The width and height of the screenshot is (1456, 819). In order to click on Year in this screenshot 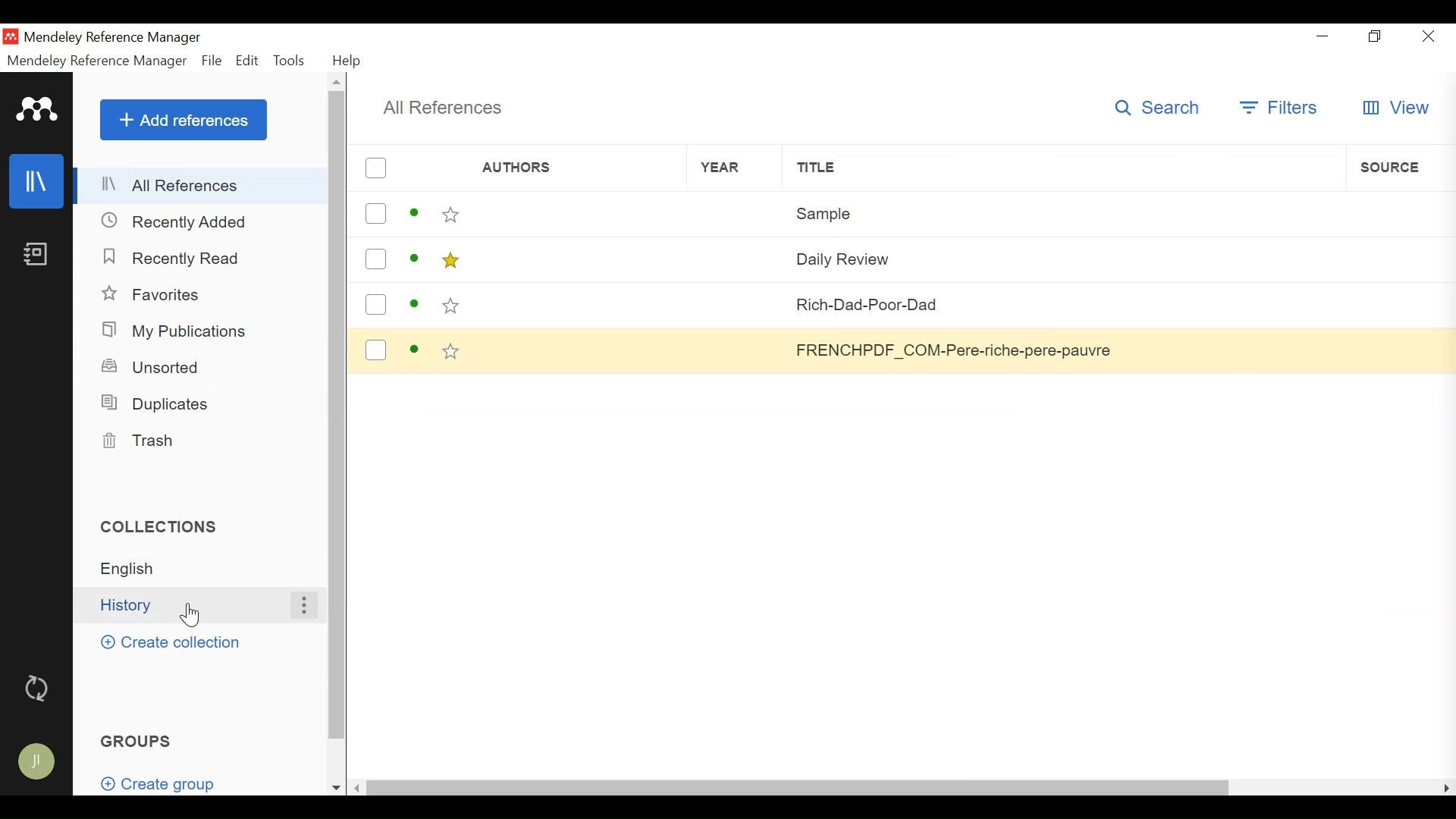, I will do `click(736, 304)`.